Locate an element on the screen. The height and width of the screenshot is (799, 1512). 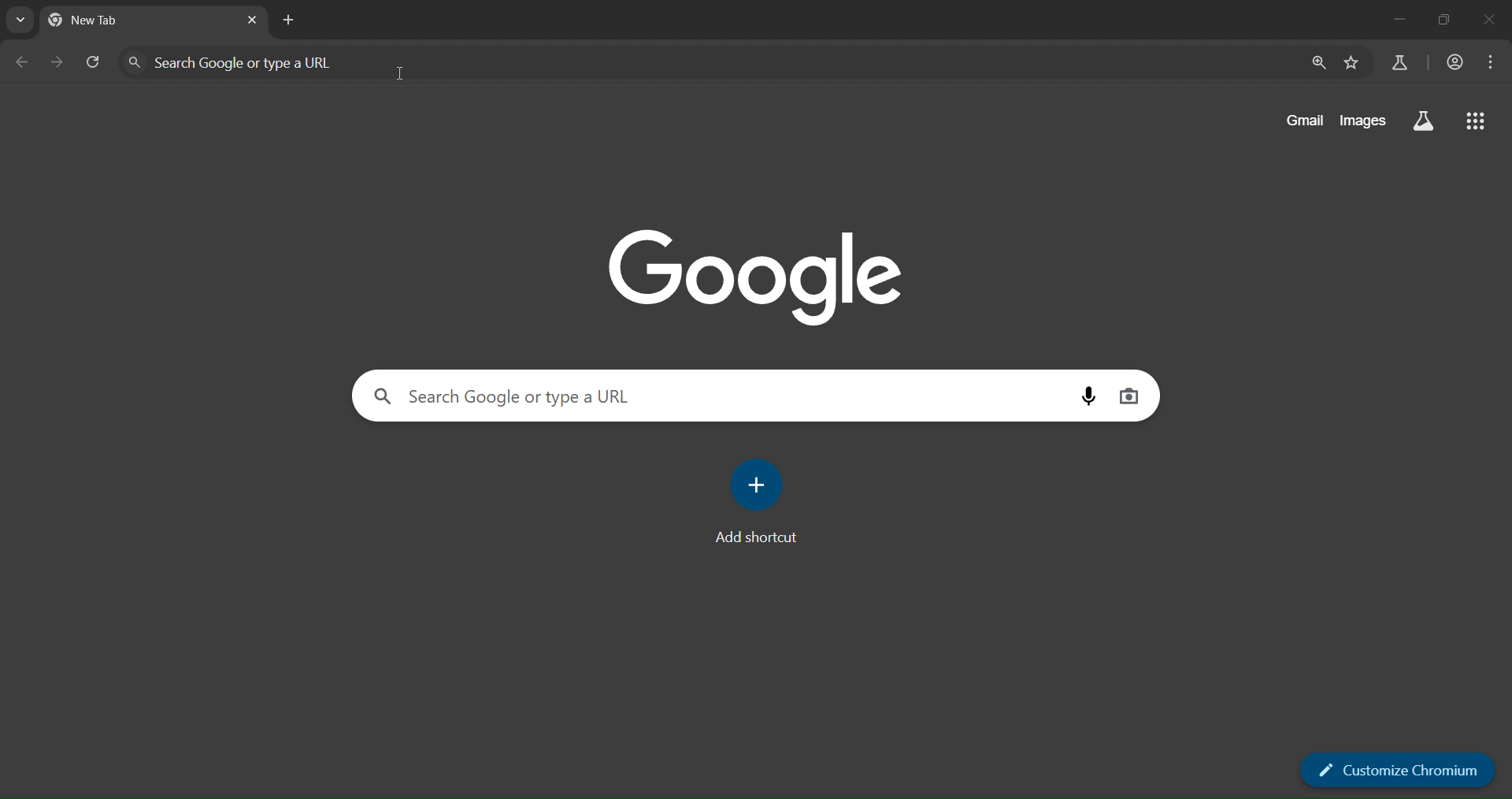
search tabs is located at coordinates (20, 21).